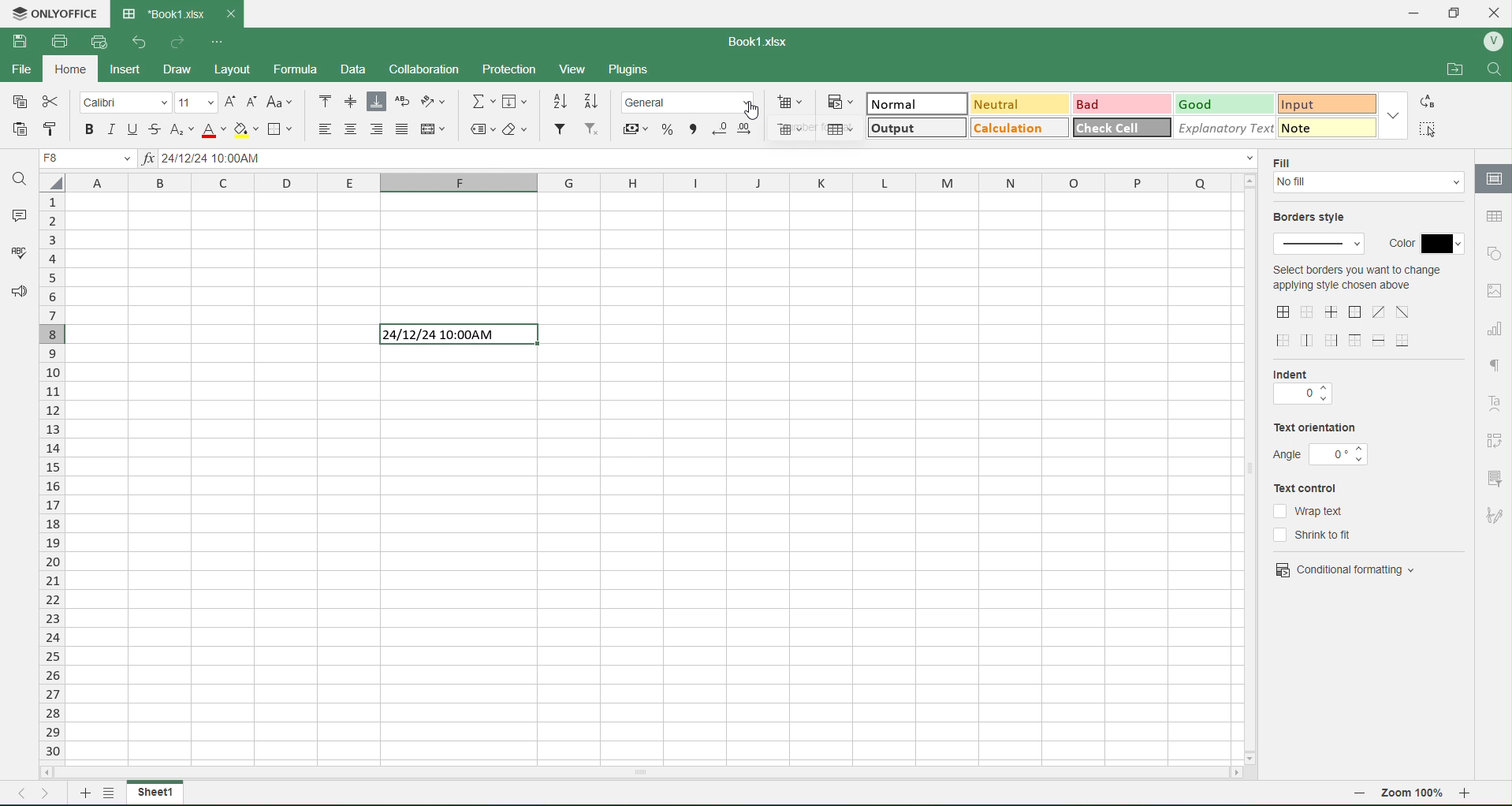 The height and width of the screenshot is (806, 1512). Describe the element at coordinates (13, 254) in the screenshot. I see `Spell Checking` at that location.